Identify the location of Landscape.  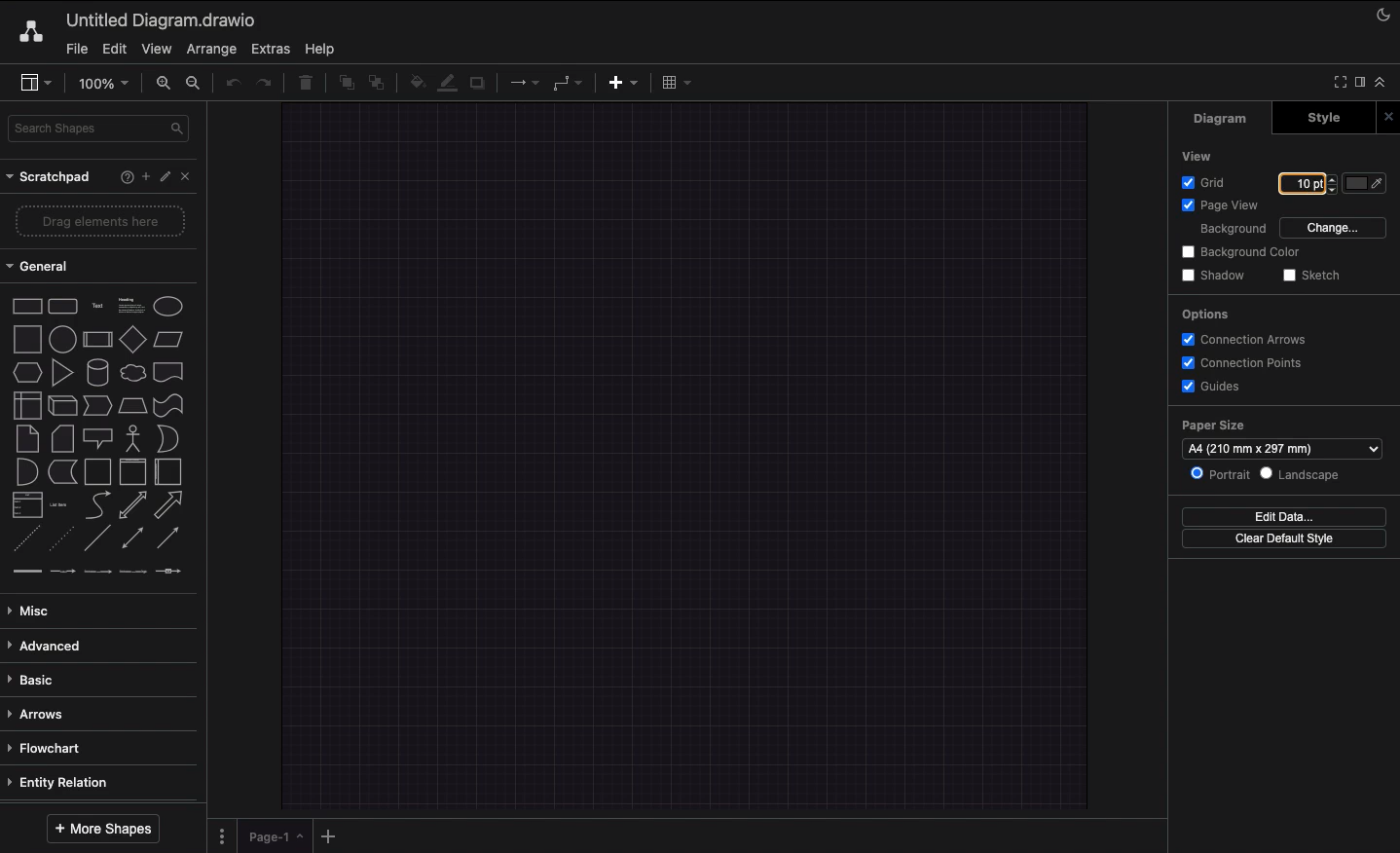
(1307, 476).